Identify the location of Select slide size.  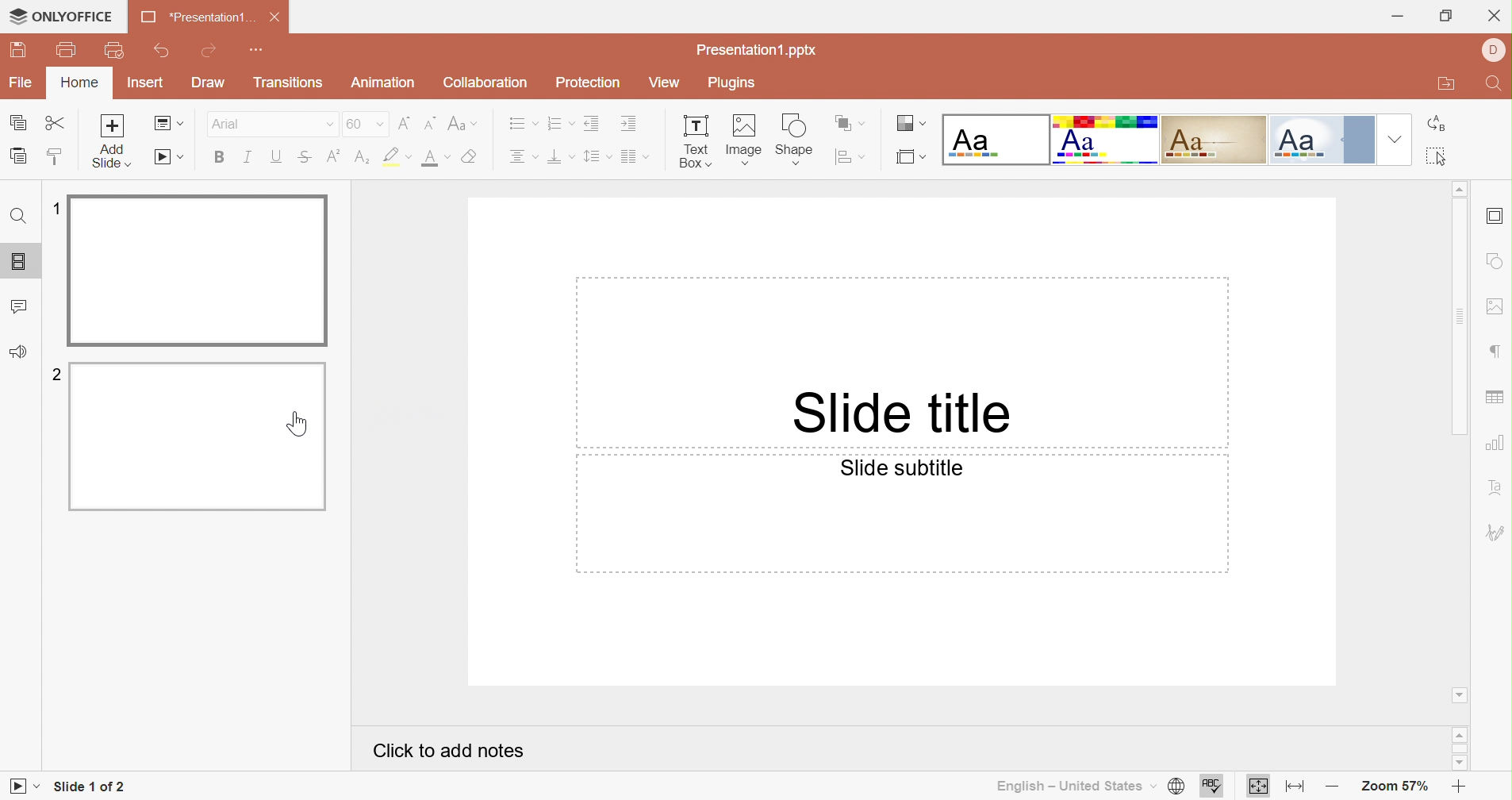
(908, 160).